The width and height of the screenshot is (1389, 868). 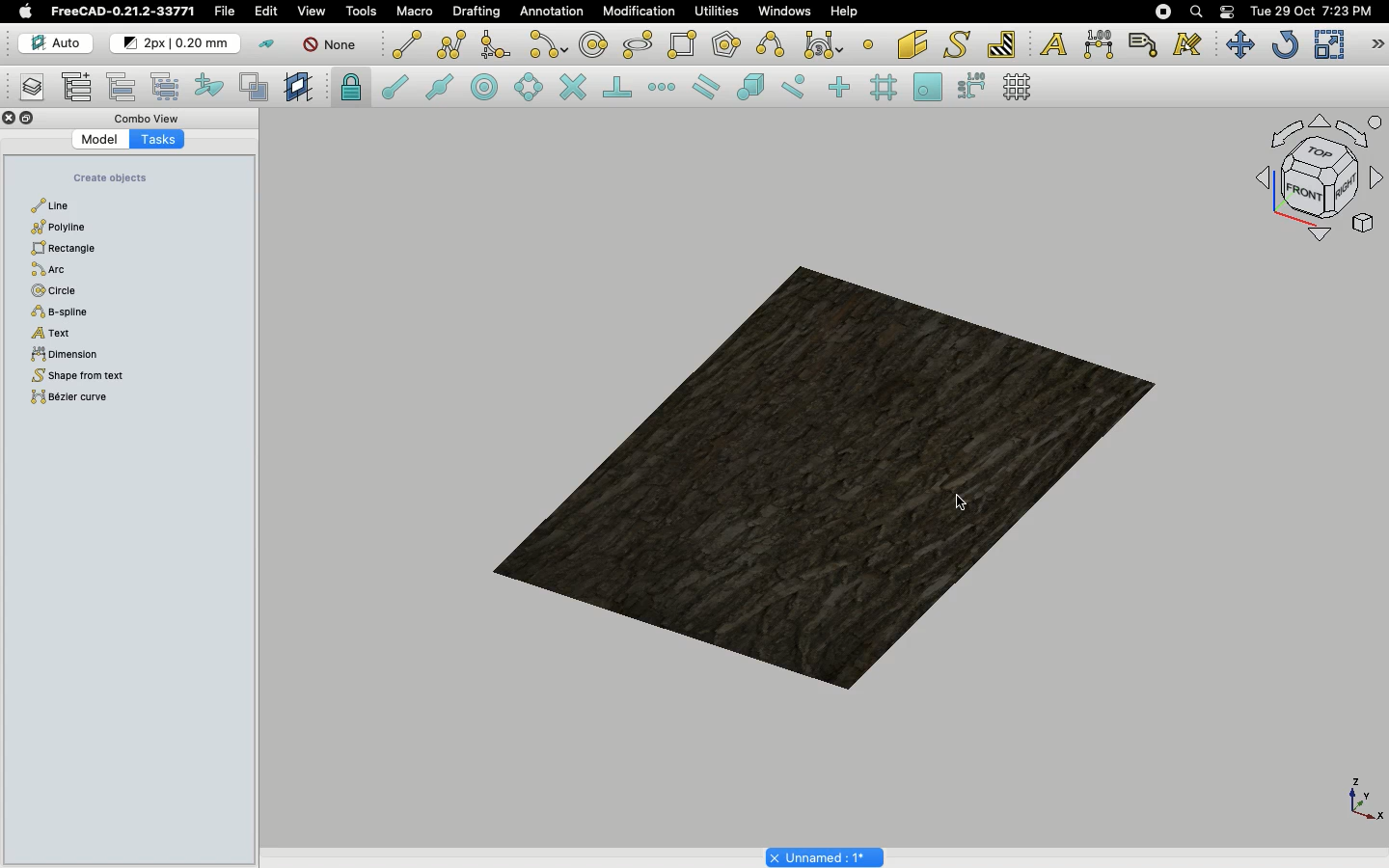 What do you see at coordinates (27, 119) in the screenshot?
I see `Collapse` at bounding box center [27, 119].